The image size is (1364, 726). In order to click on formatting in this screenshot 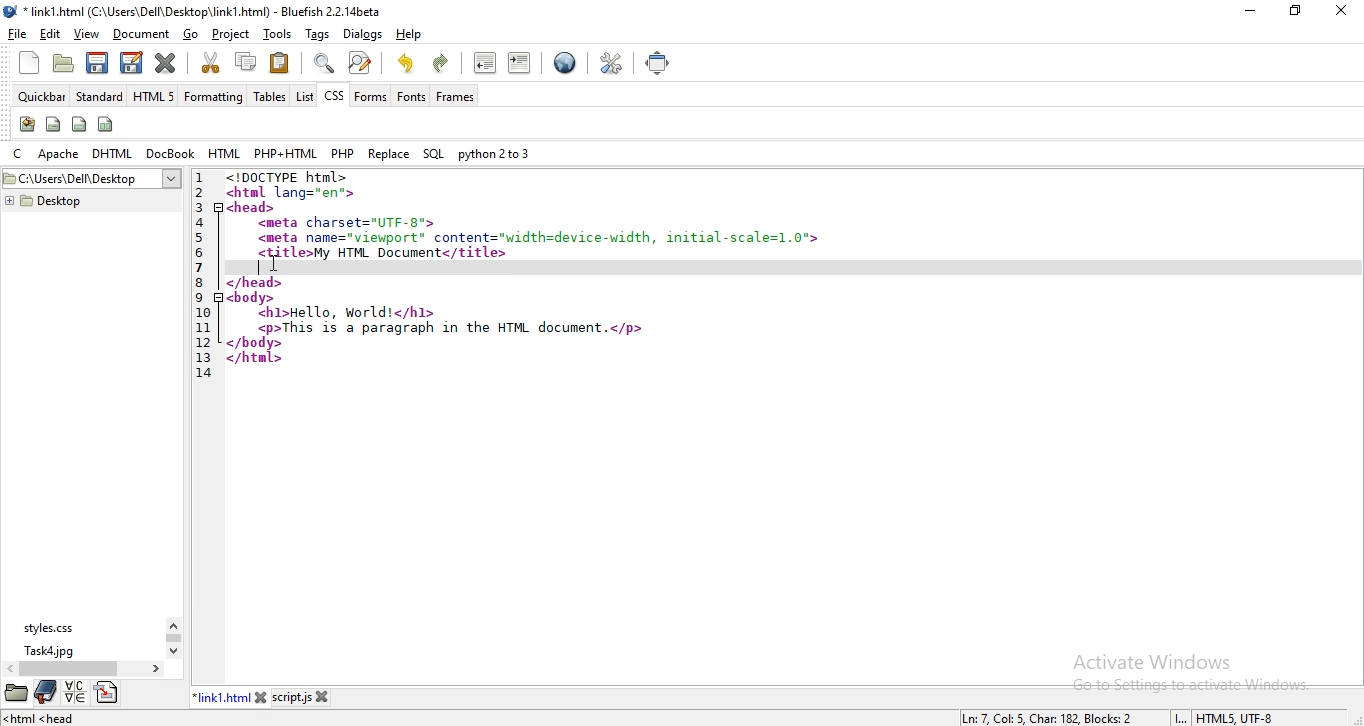, I will do `click(214, 96)`.